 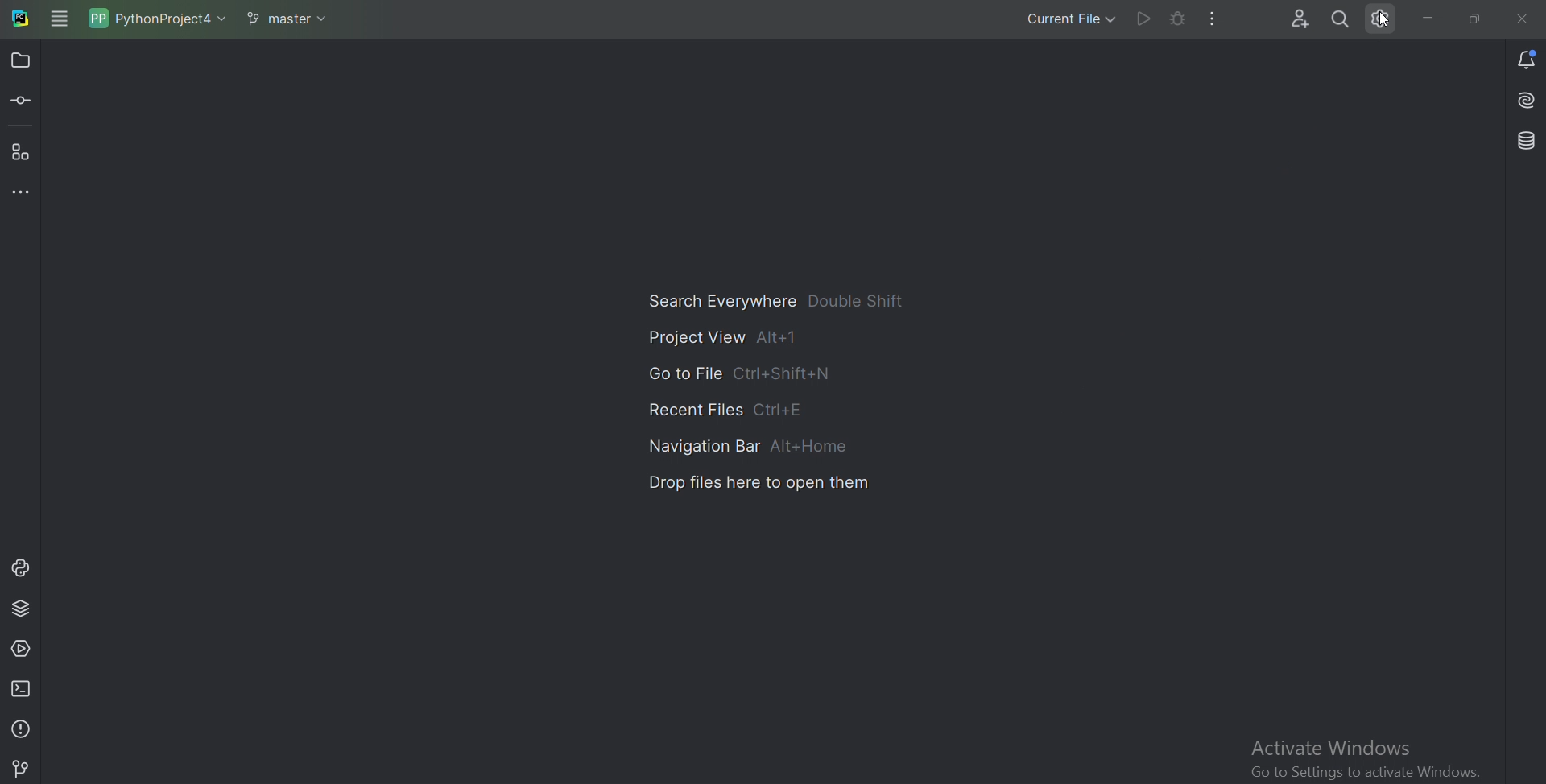 I want to click on Project view ALT+1, so click(x=724, y=336).